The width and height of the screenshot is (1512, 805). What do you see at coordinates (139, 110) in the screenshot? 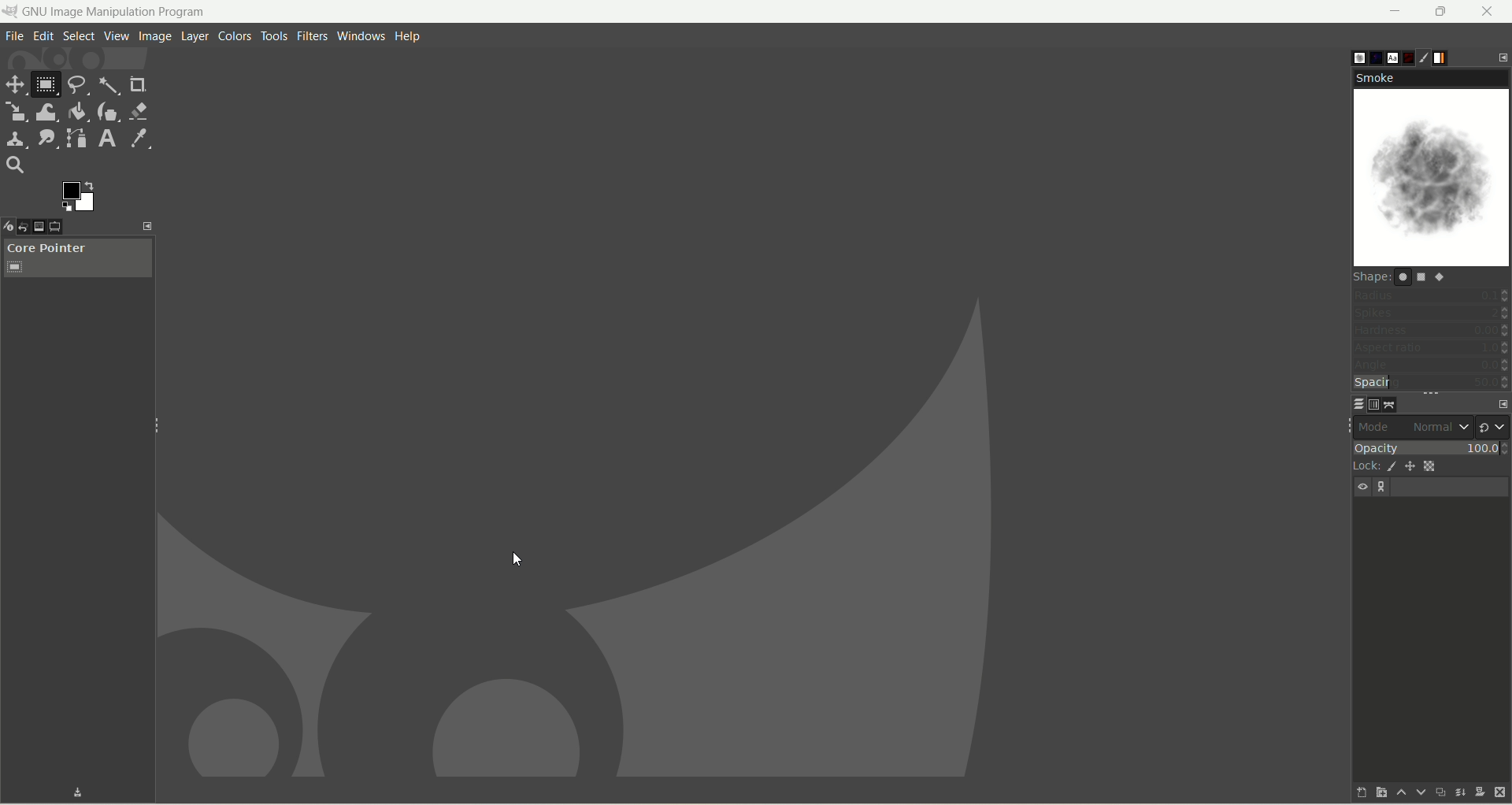
I see `eraser tool` at bounding box center [139, 110].